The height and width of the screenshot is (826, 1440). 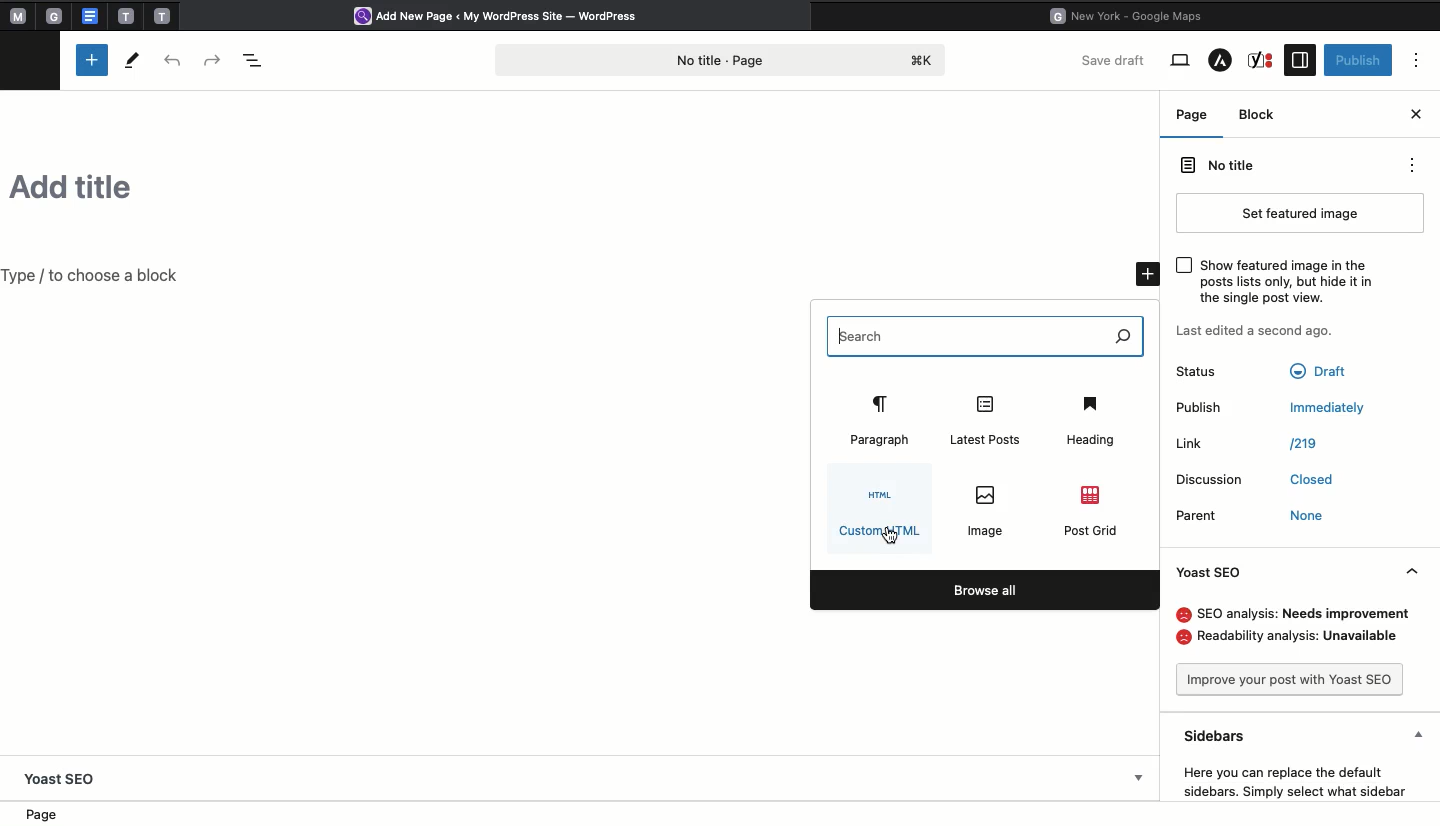 What do you see at coordinates (1116, 59) in the screenshot?
I see `Save draft` at bounding box center [1116, 59].